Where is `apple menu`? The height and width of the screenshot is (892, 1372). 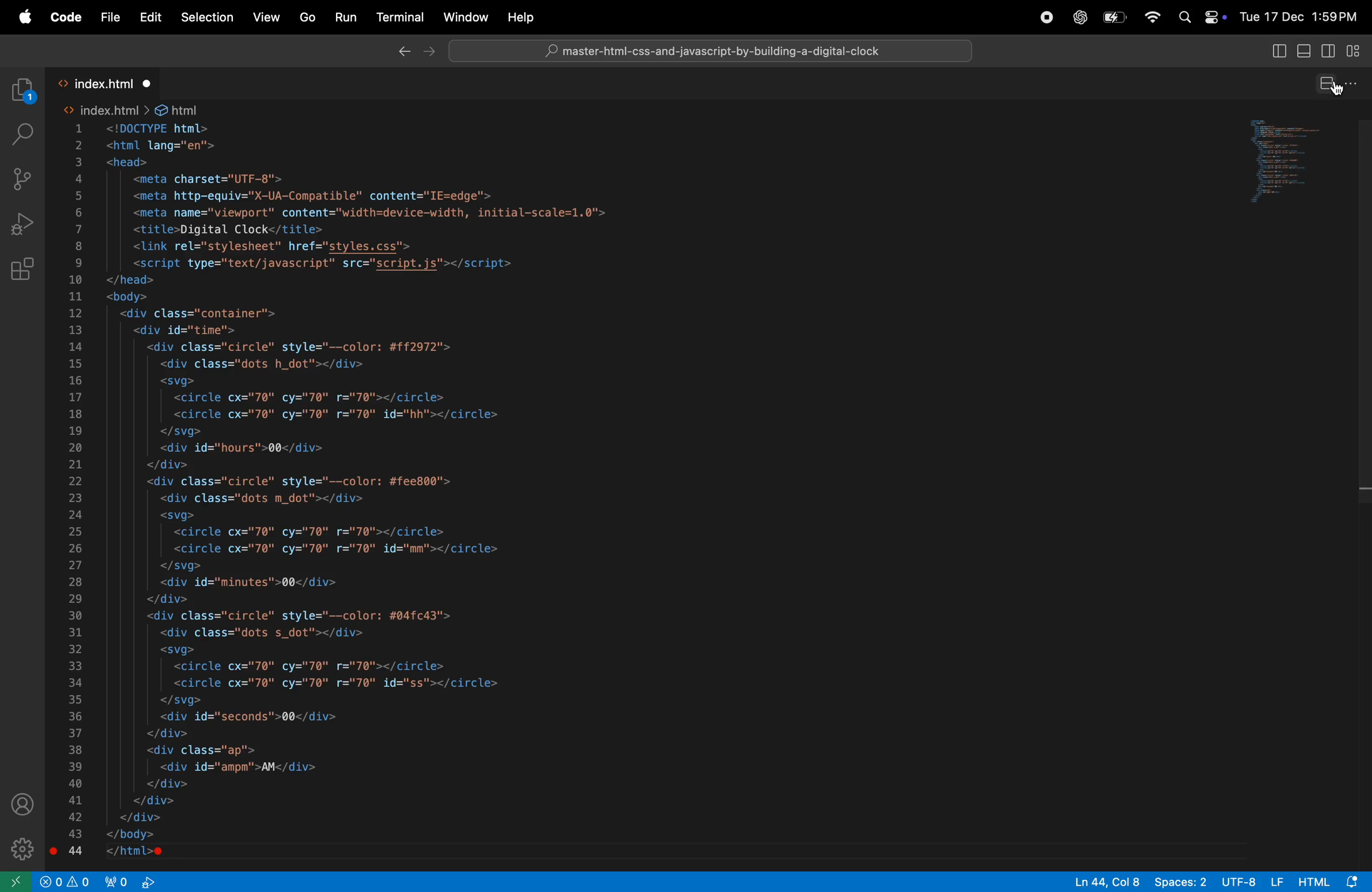 apple menu is located at coordinates (24, 18).